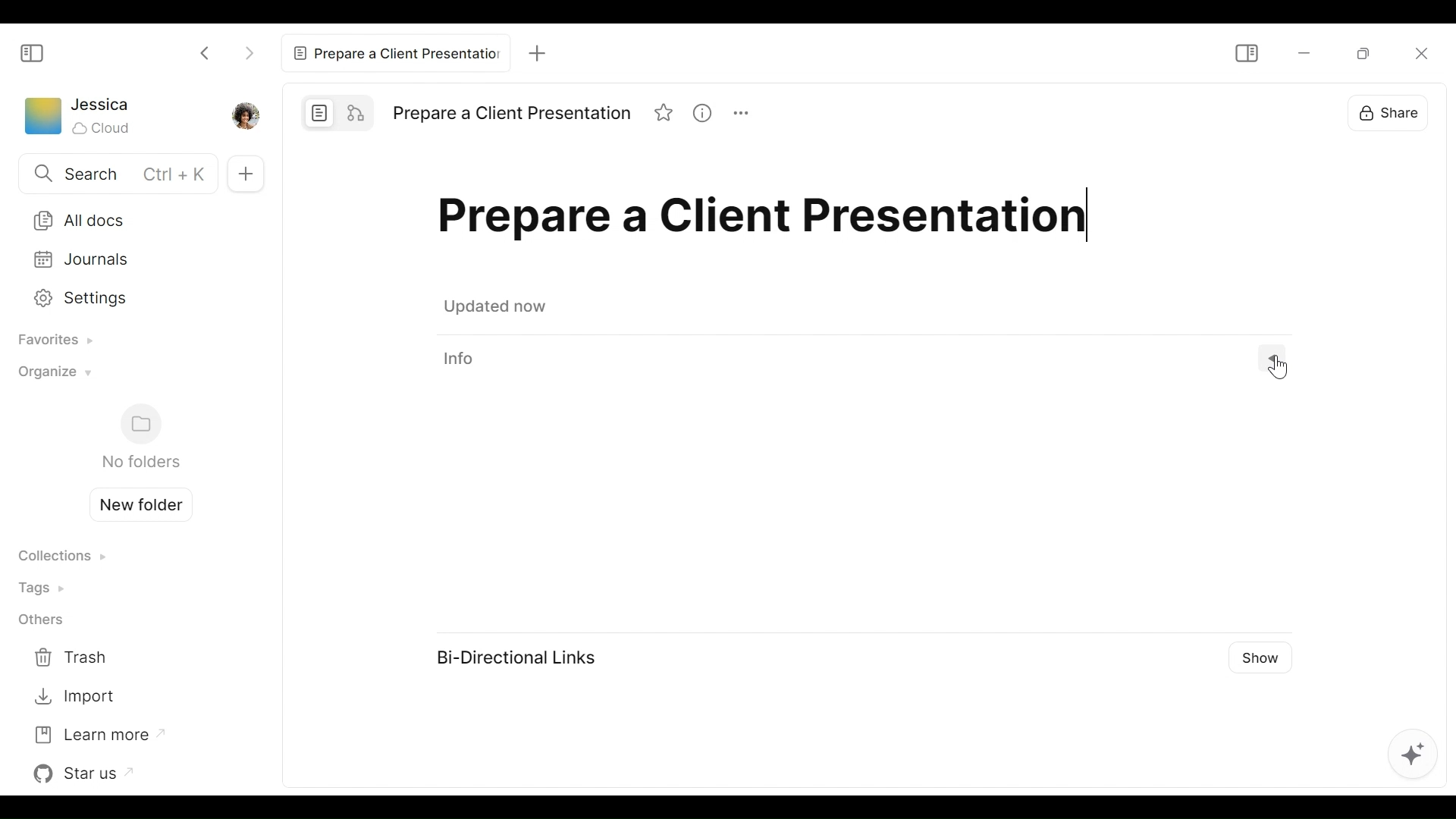 This screenshot has height=819, width=1456. Describe the element at coordinates (1372, 229) in the screenshot. I see `Cursor` at that location.